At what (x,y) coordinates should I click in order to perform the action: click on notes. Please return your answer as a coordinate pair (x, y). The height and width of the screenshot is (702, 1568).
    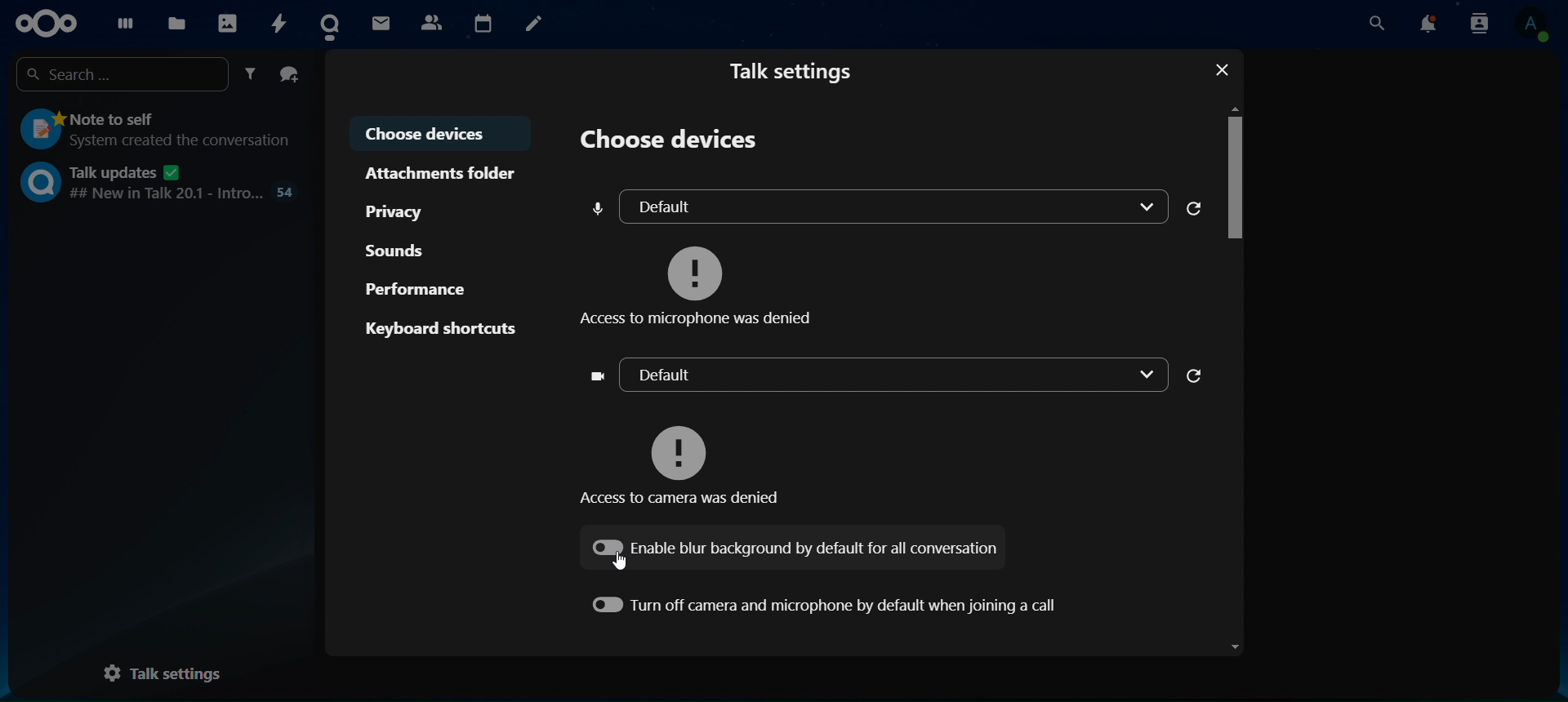
    Looking at the image, I should click on (541, 25).